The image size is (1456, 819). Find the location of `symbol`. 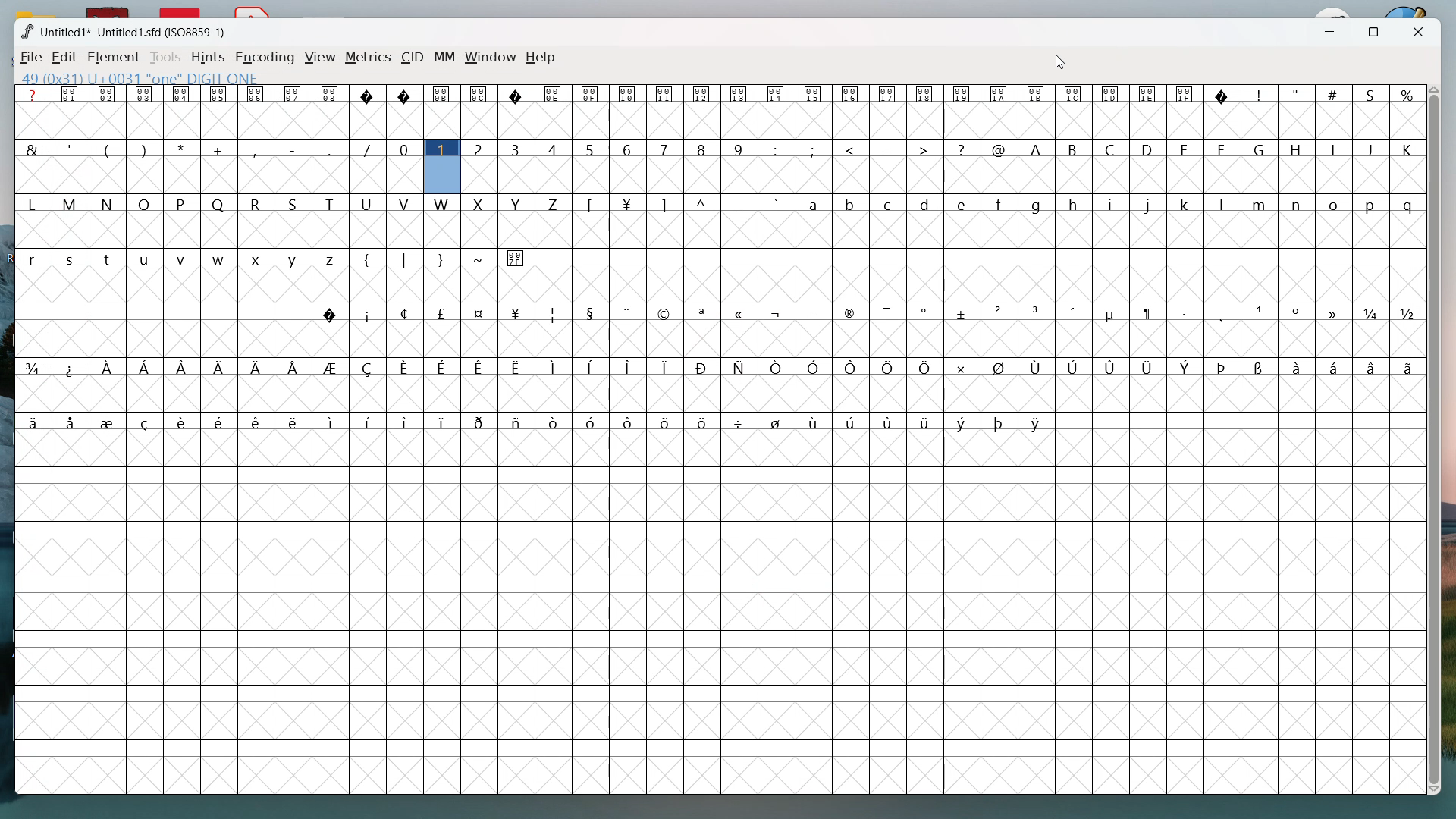

symbol is located at coordinates (926, 94).